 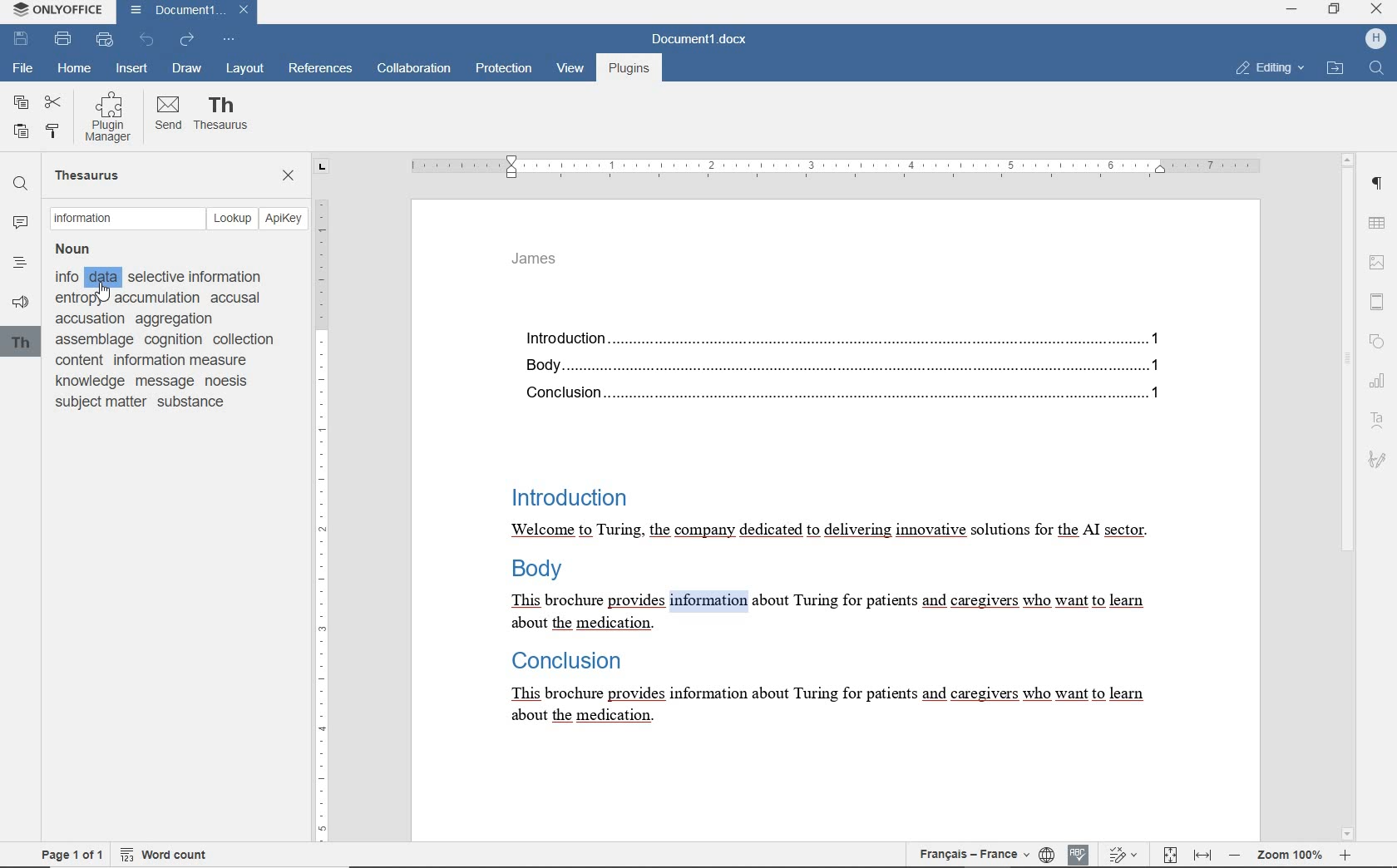 What do you see at coordinates (187, 68) in the screenshot?
I see `DRAW` at bounding box center [187, 68].